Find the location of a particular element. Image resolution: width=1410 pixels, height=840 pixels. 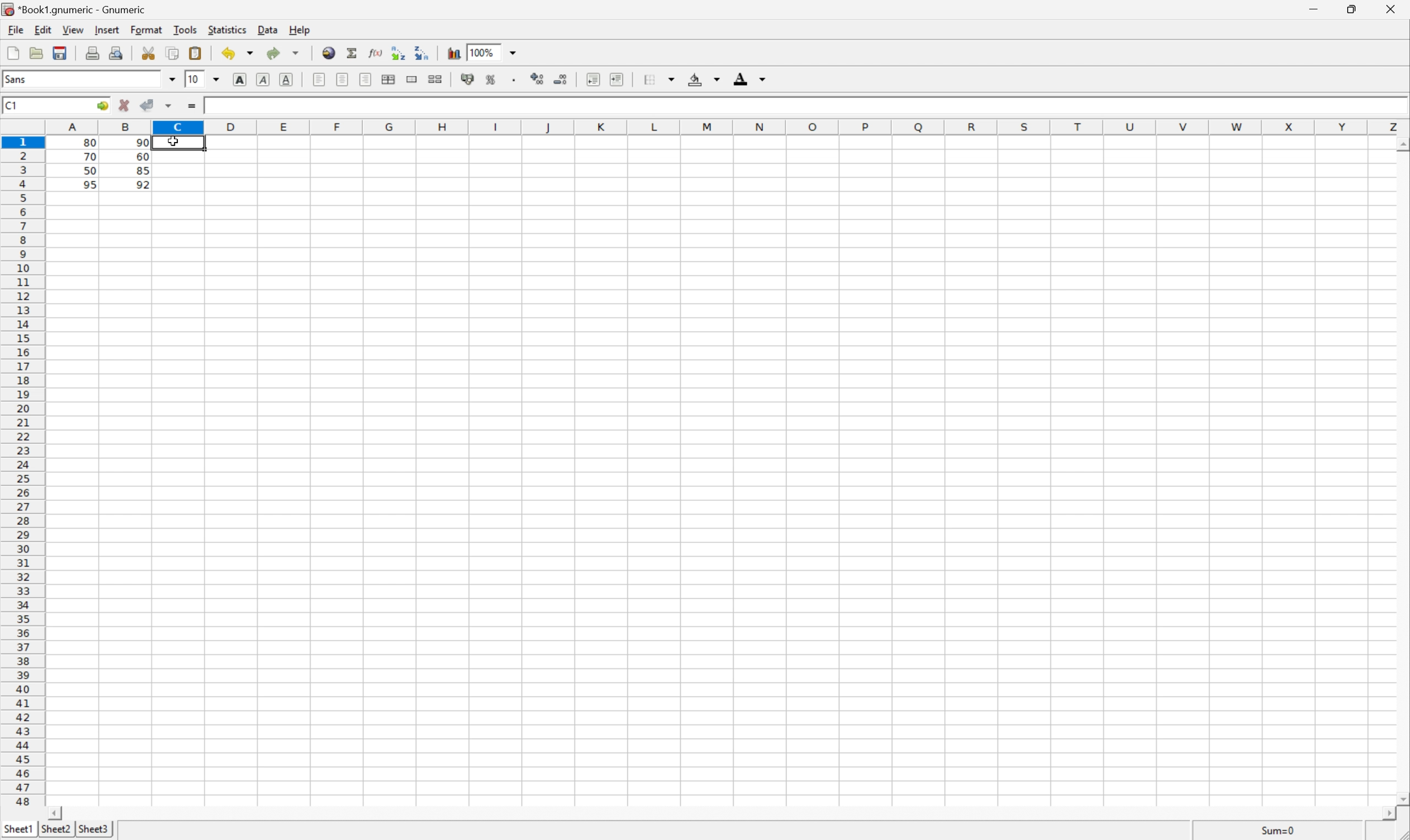

Paste the clipboard is located at coordinates (196, 54).